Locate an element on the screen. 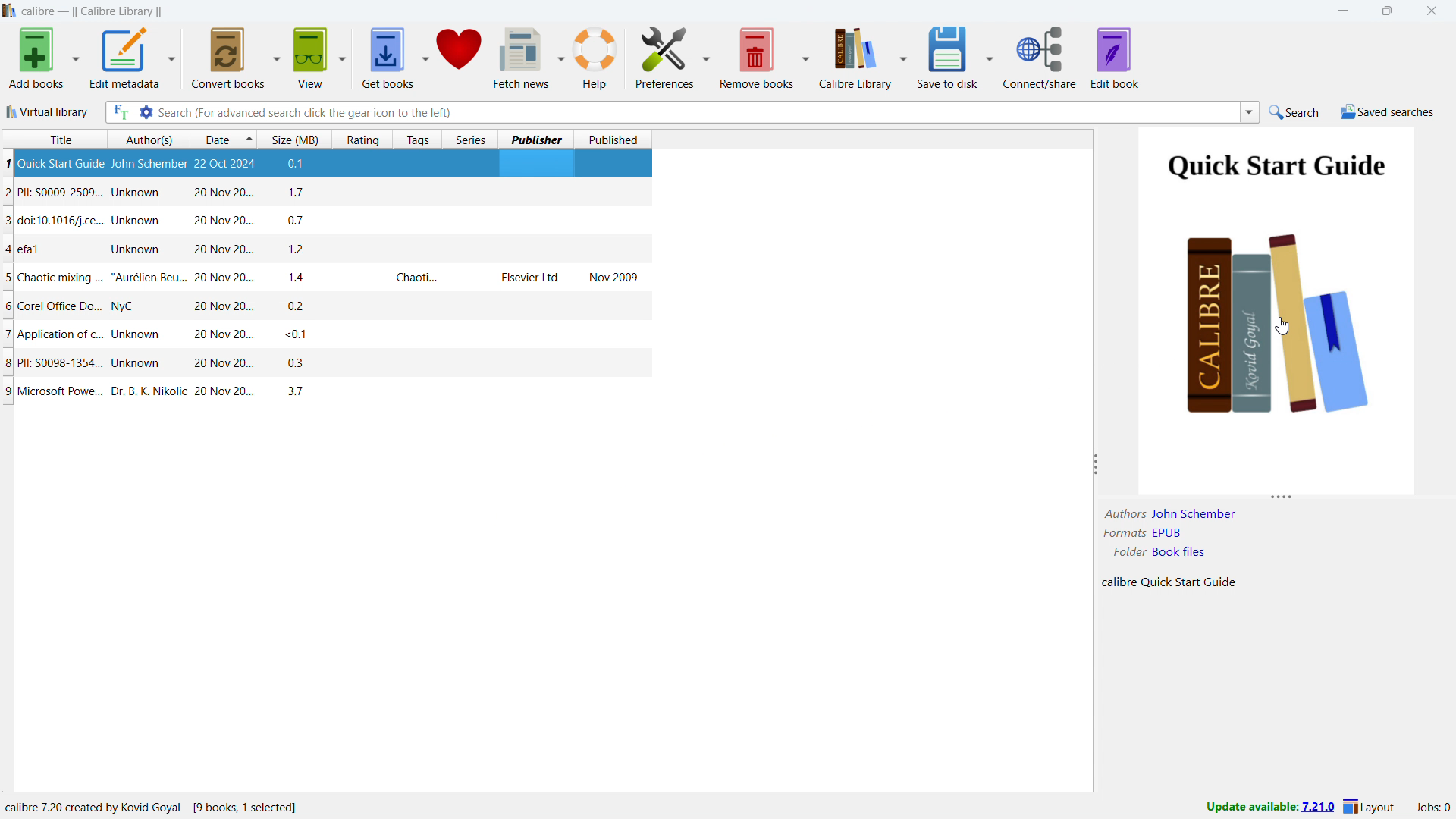 This screenshot has width=1456, height=819. 20 Nov 20.. is located at coordinates (221, 219).